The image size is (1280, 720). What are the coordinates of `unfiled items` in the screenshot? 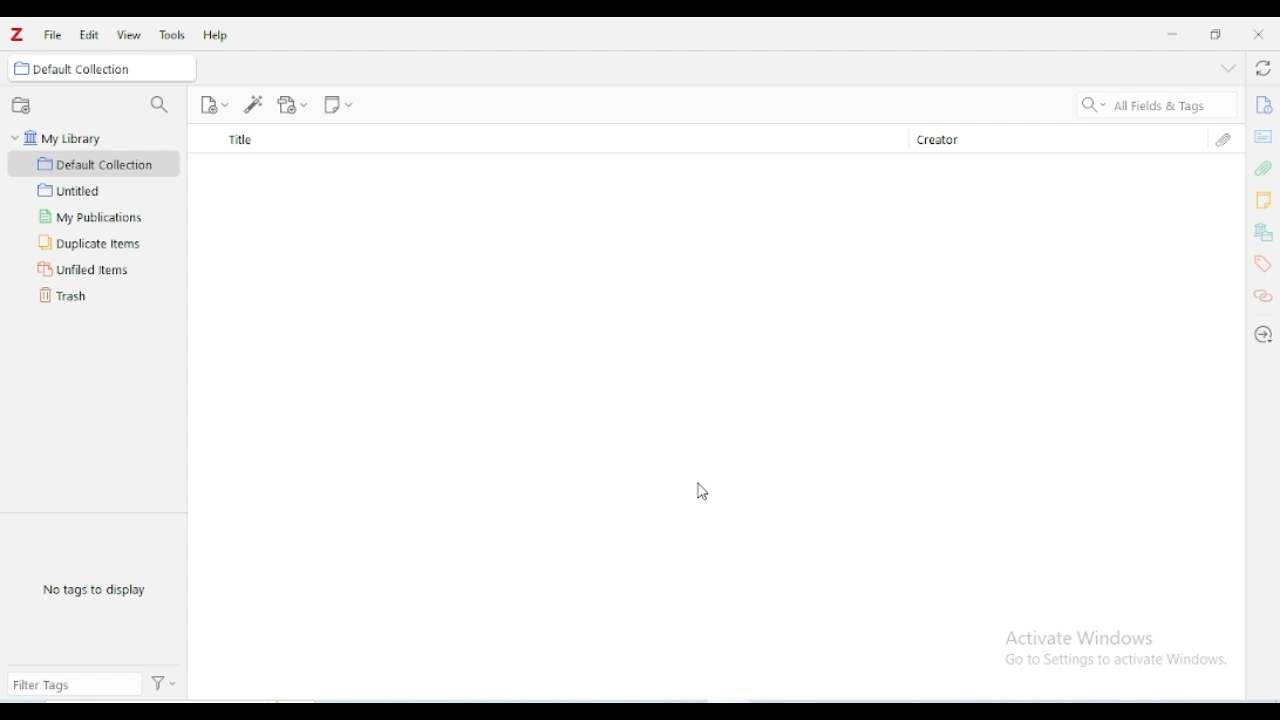 It's located at (91, 269).